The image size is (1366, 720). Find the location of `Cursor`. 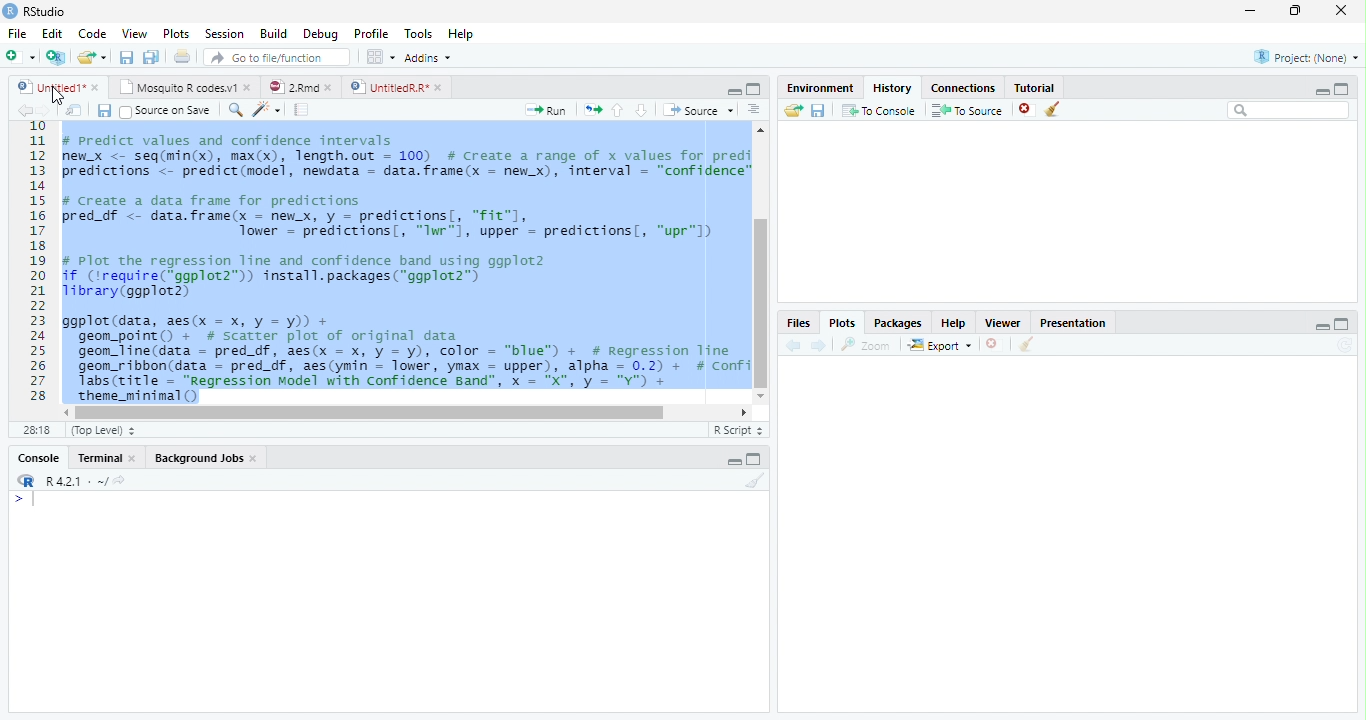

Cursor is located at coordinates (51, 96).